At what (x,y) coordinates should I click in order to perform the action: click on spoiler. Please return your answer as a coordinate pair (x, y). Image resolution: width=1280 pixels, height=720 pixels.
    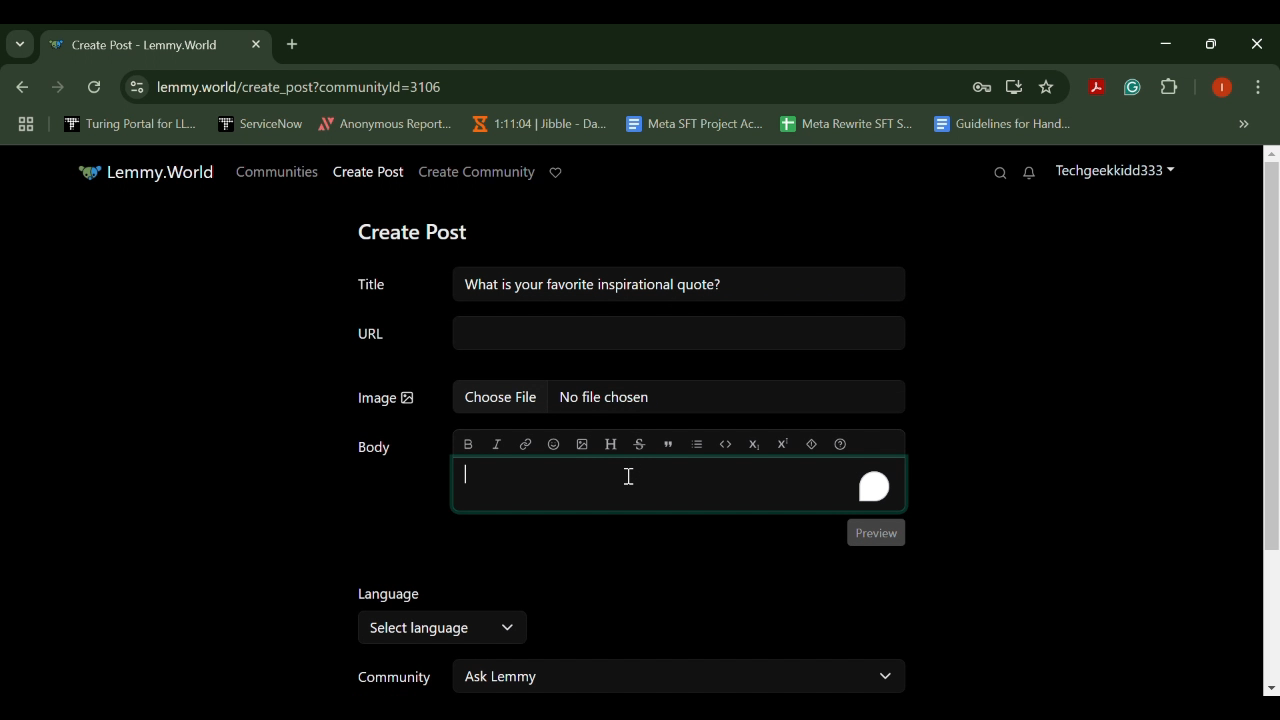
    Looking at the image, I should click on (811, 443).